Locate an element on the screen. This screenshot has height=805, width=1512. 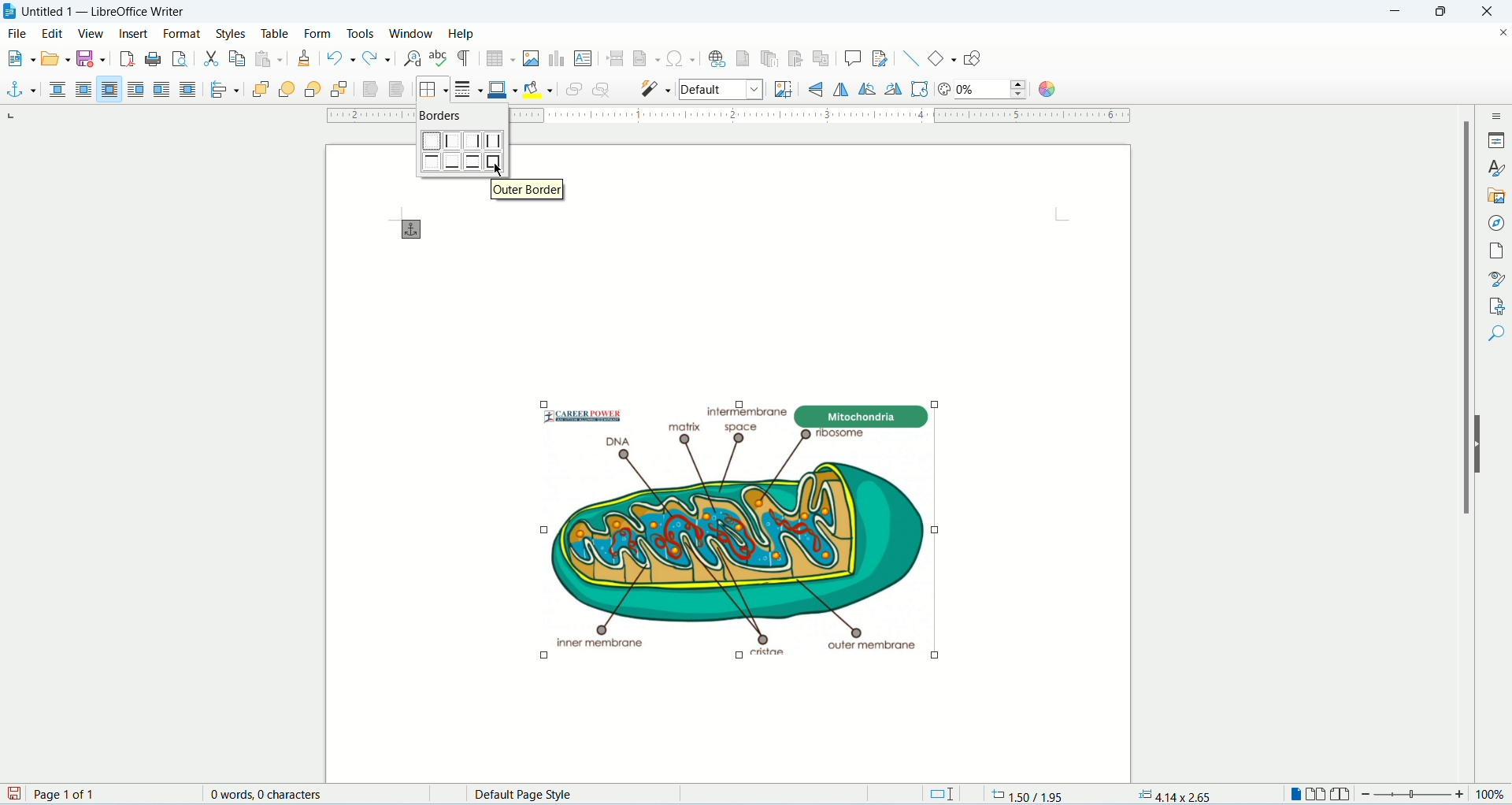
anchor is located at coordinates (20, 91).